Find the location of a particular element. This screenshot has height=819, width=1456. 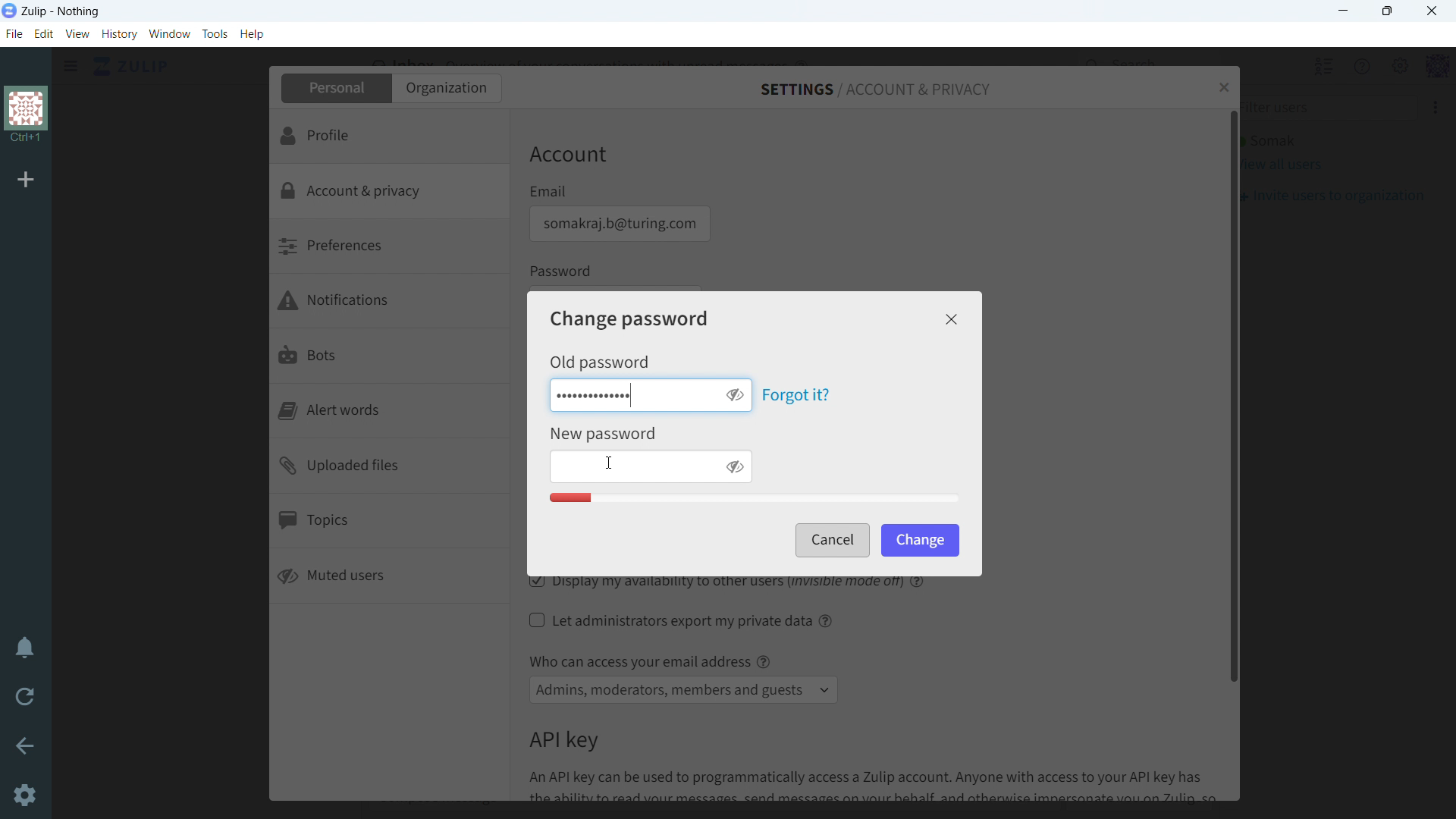

let administrators export my private data is located at coordinates (670, 620).